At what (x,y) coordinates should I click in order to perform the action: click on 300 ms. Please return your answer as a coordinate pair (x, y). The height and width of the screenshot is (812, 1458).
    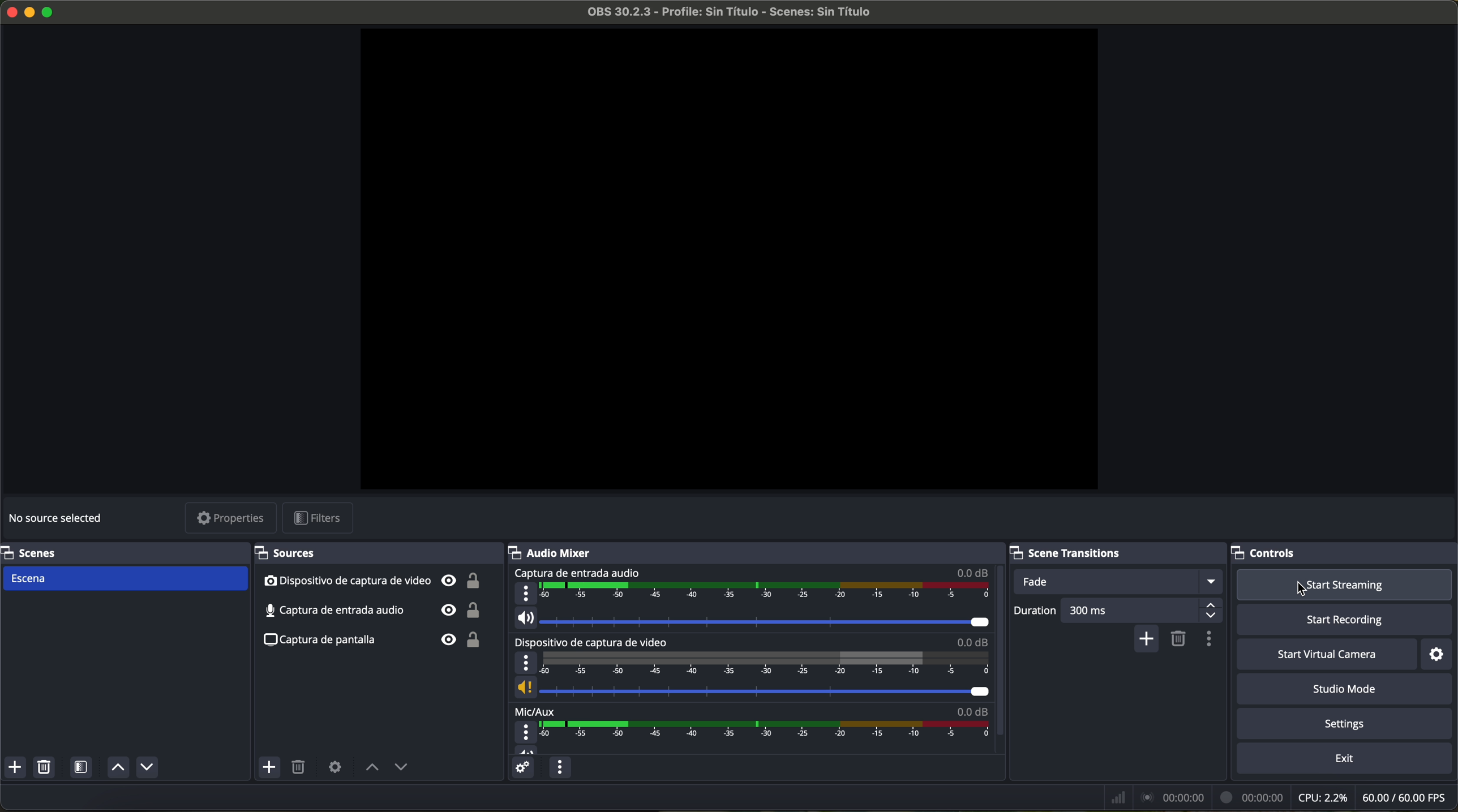
    Looking at the image, I should click on (1141, 611).